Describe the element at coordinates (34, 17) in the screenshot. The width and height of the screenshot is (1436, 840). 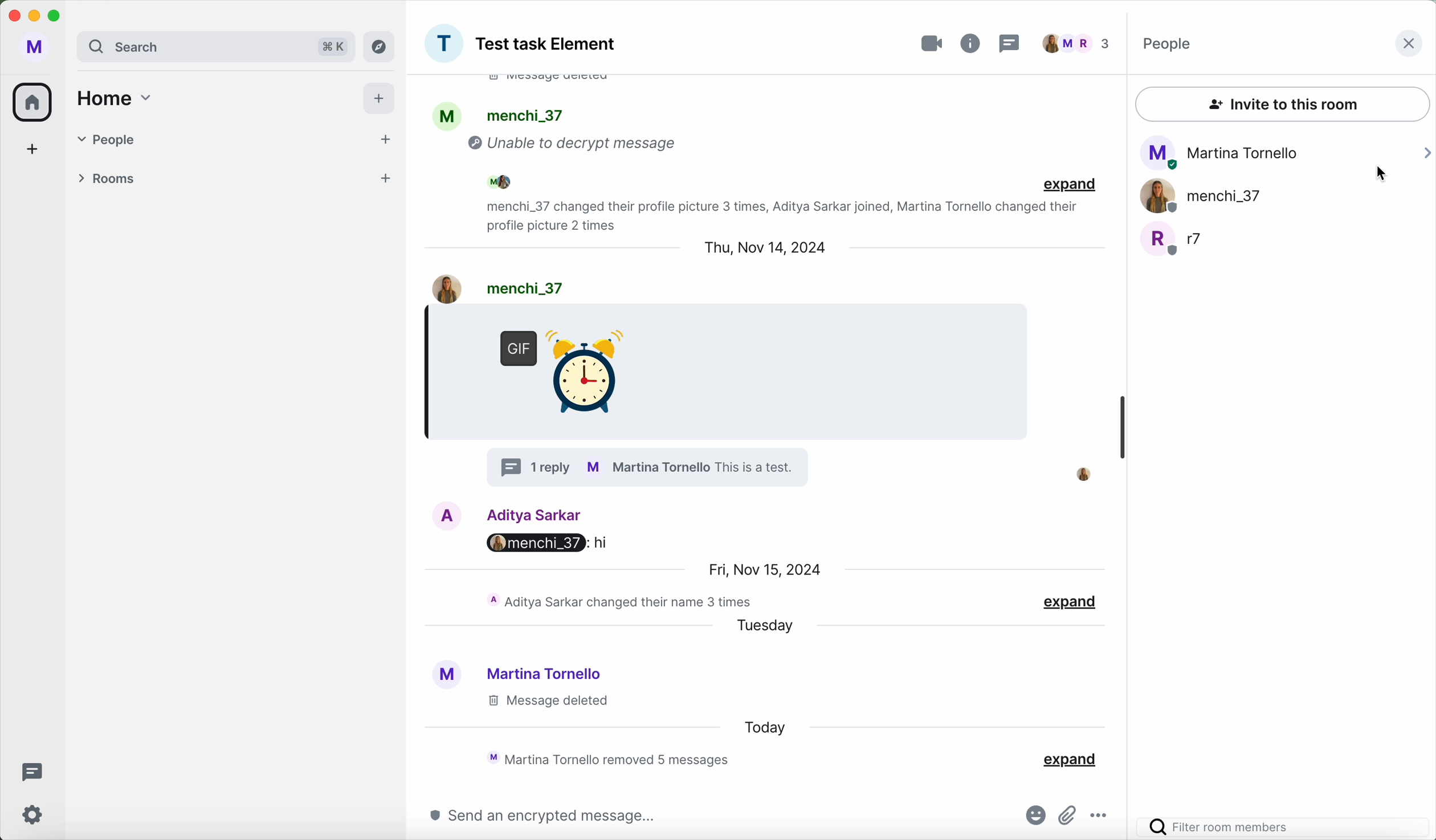
I see `minimize` at that location.